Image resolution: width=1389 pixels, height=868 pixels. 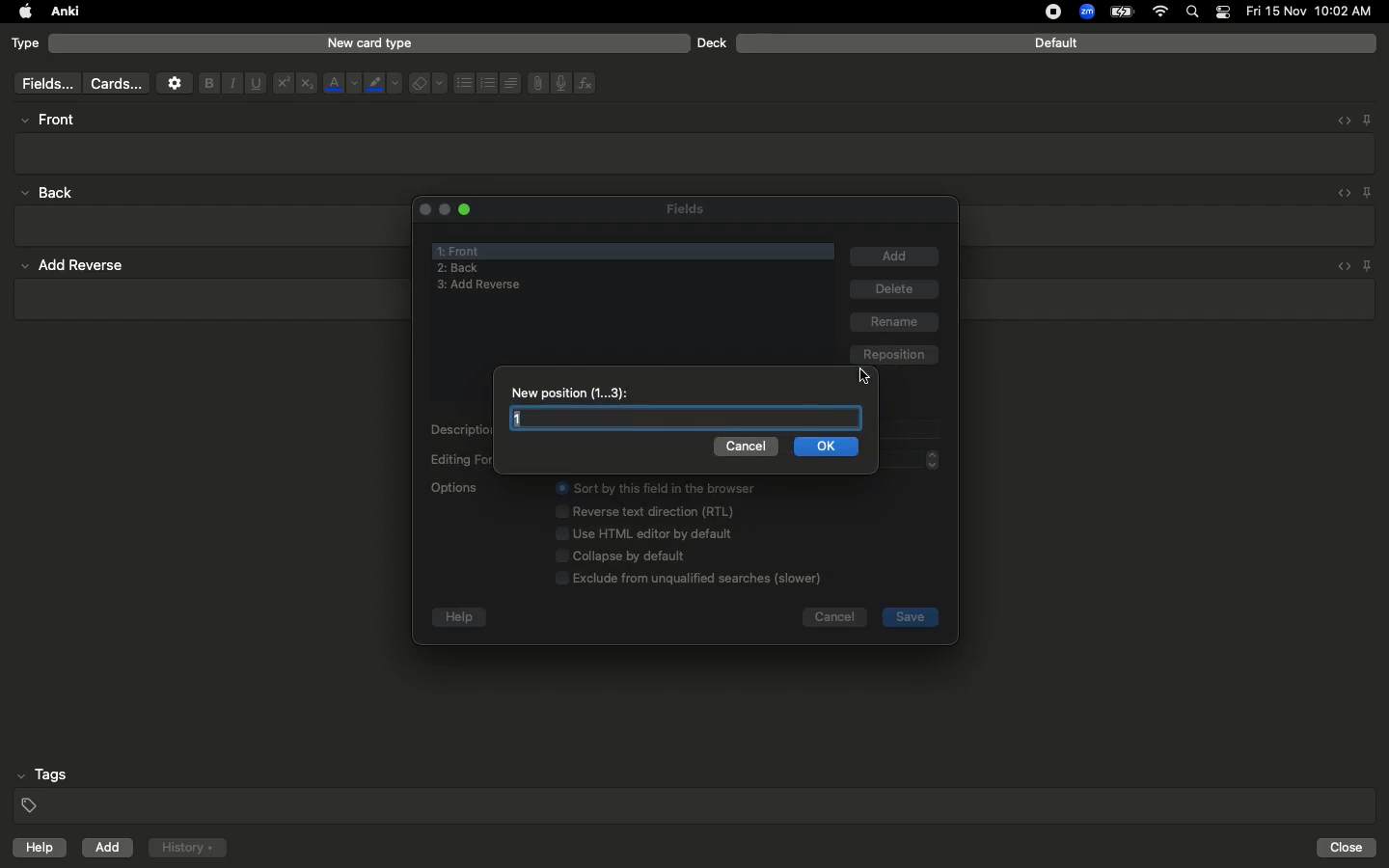 What do you see at coordinates (26, 44) in the screenshot?
I see `Type` at bounding box center [26, 44].